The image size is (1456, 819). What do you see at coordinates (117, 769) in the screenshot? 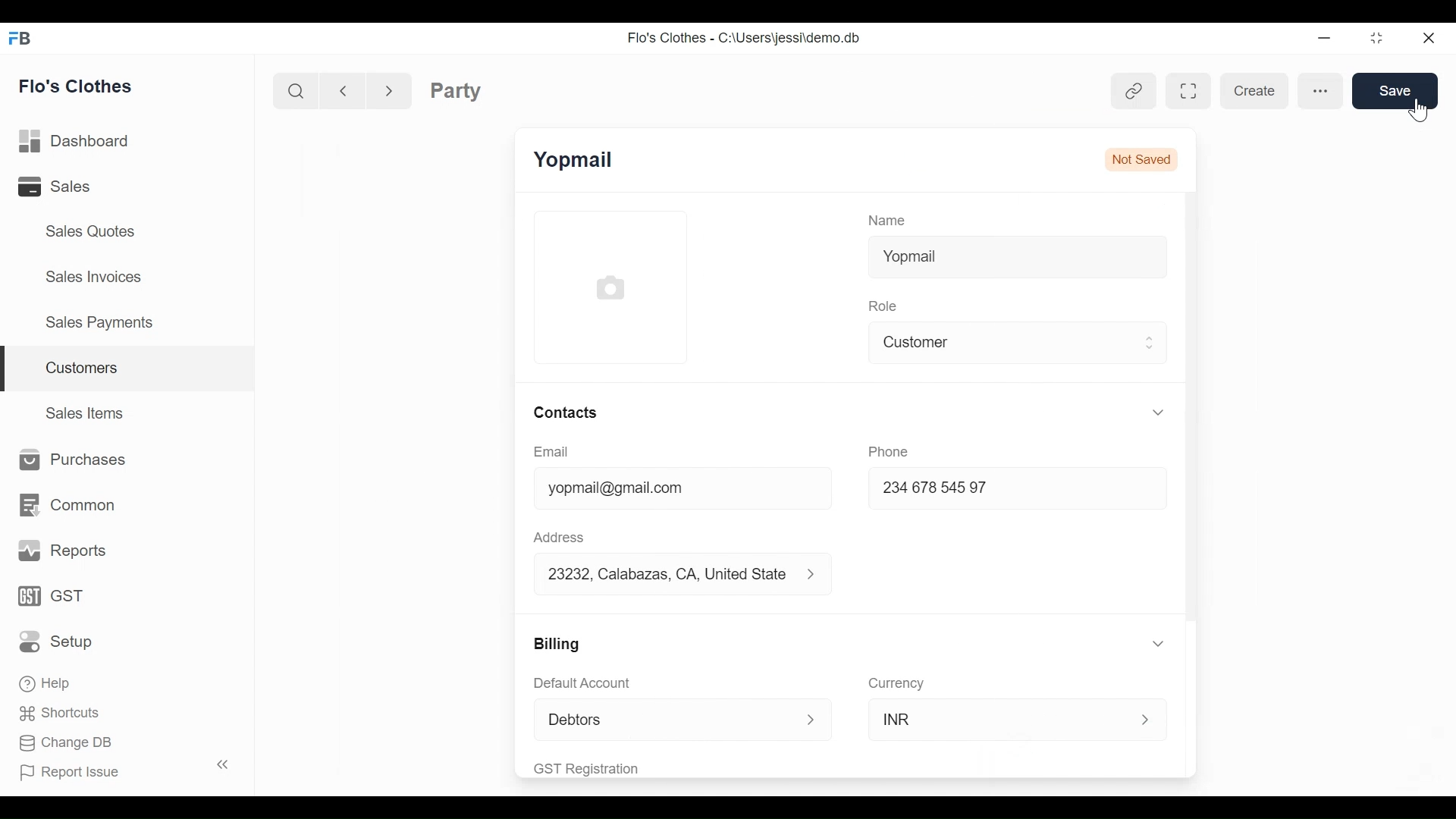
I see `Report Issue` at bounding box center [117, 769].